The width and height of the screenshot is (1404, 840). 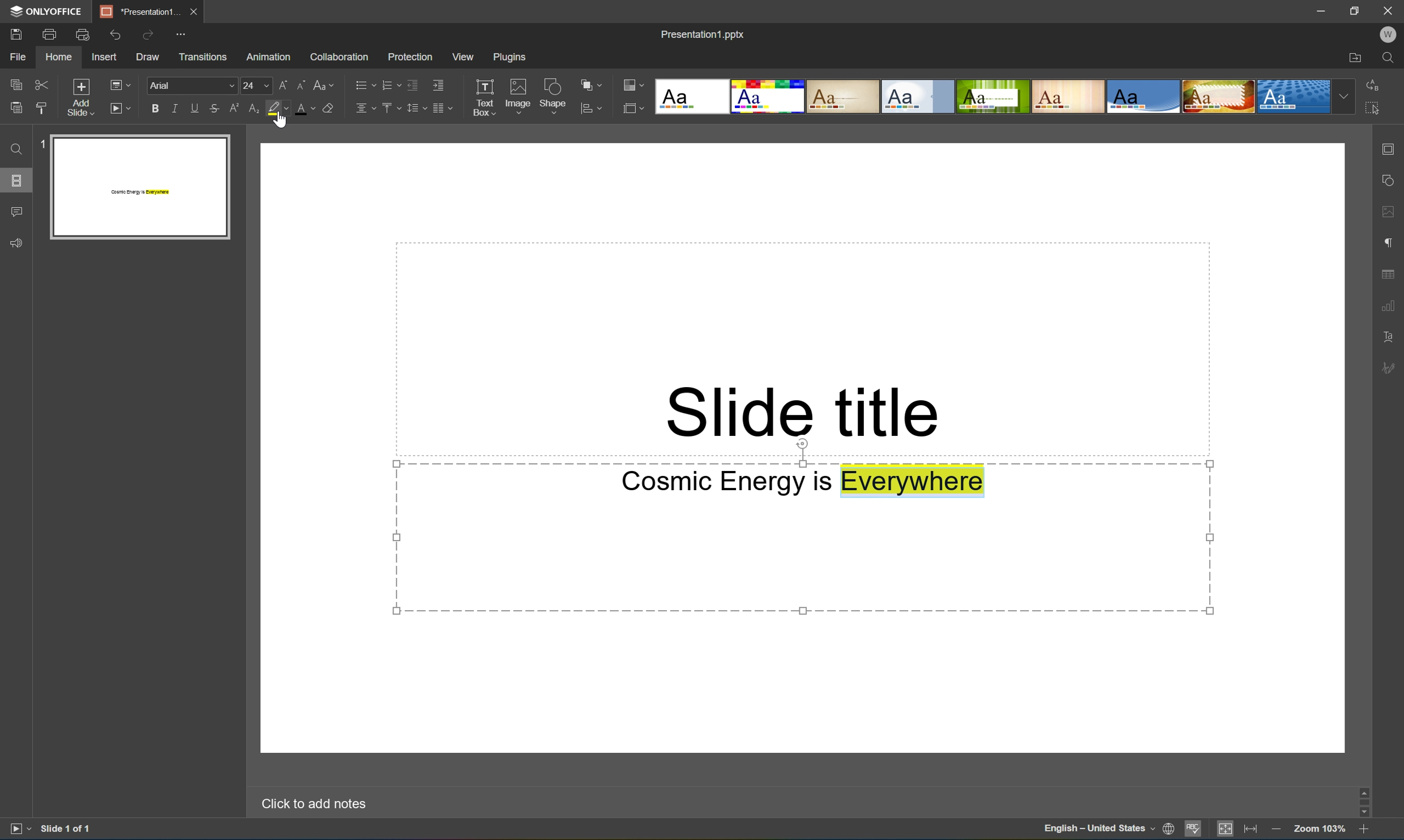 I want to click on Align shape, so click(x=592, y=111).